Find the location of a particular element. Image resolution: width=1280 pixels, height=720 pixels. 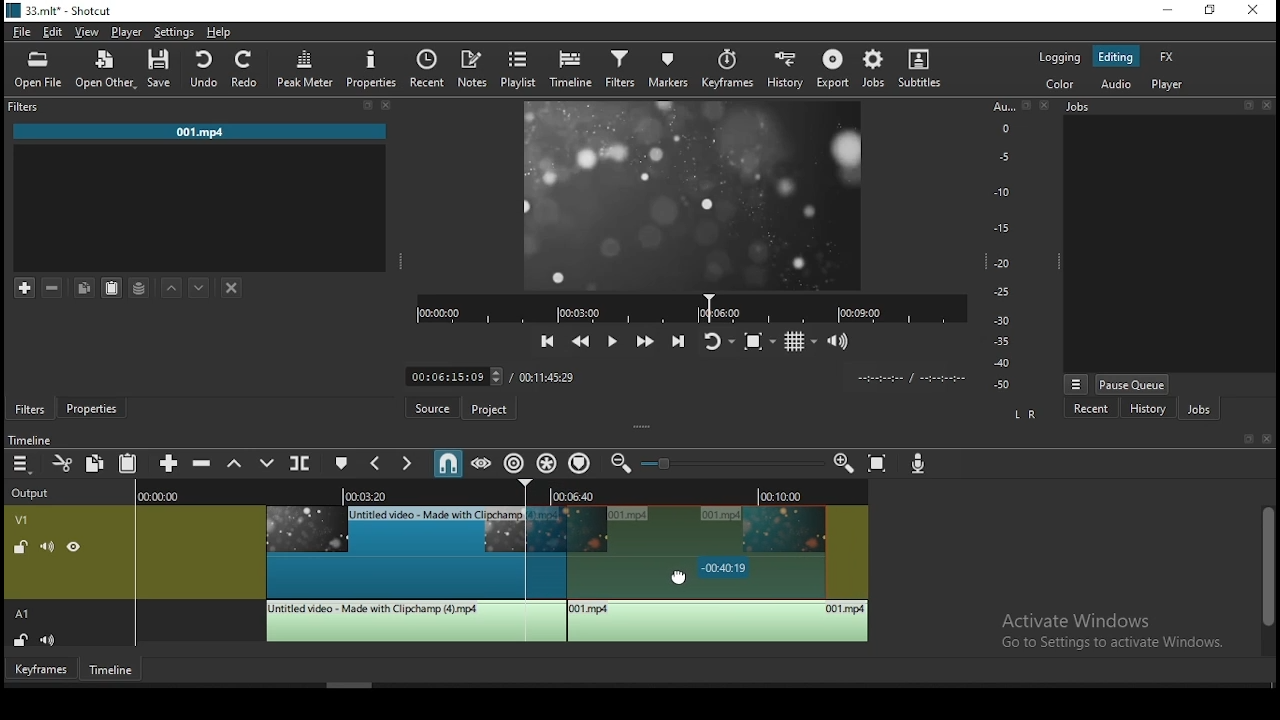

minimize is located at coordinates (1167, 10).